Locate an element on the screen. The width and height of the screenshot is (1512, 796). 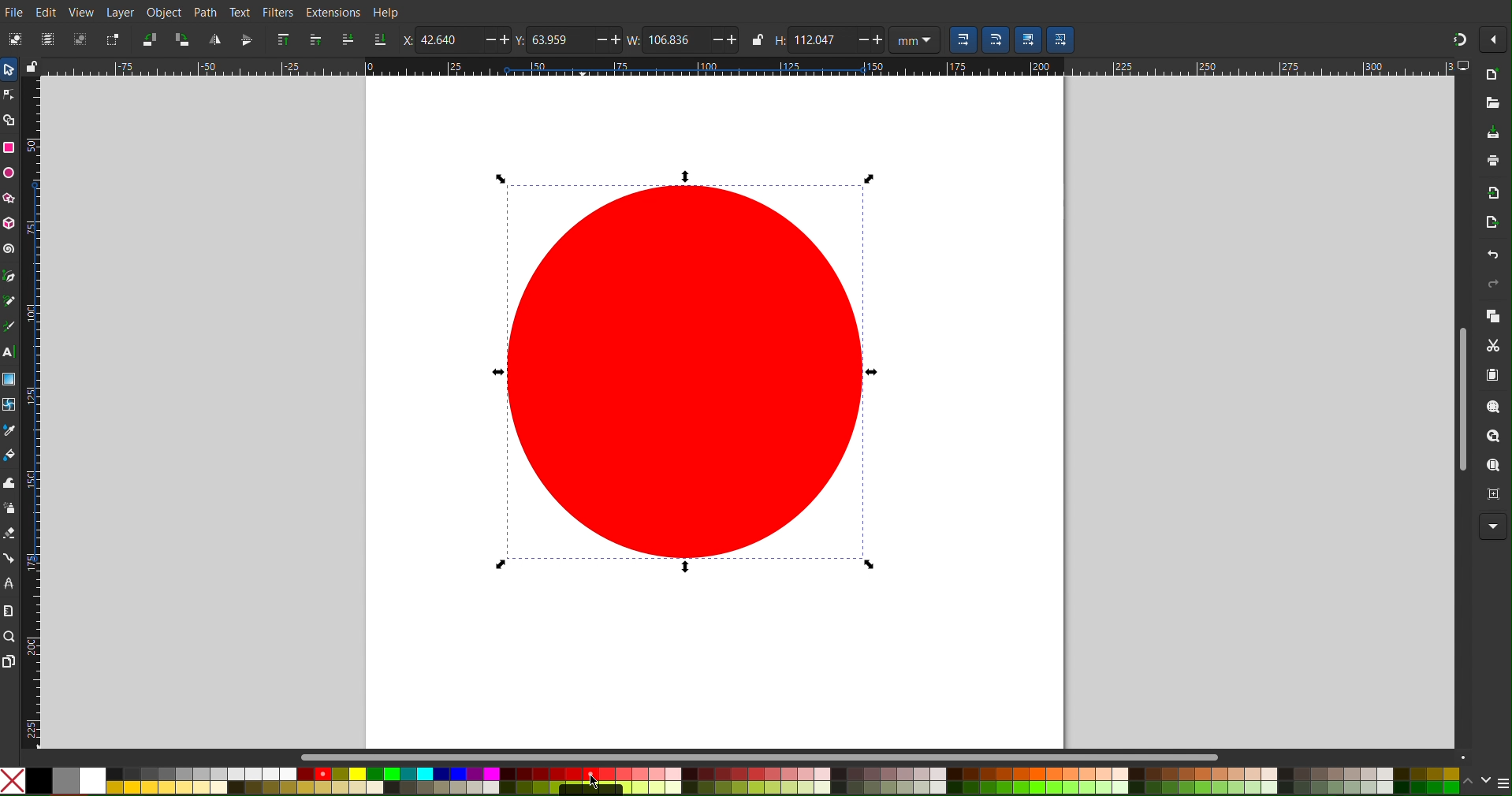
increase/decrease is located at coordinates (609, 39).